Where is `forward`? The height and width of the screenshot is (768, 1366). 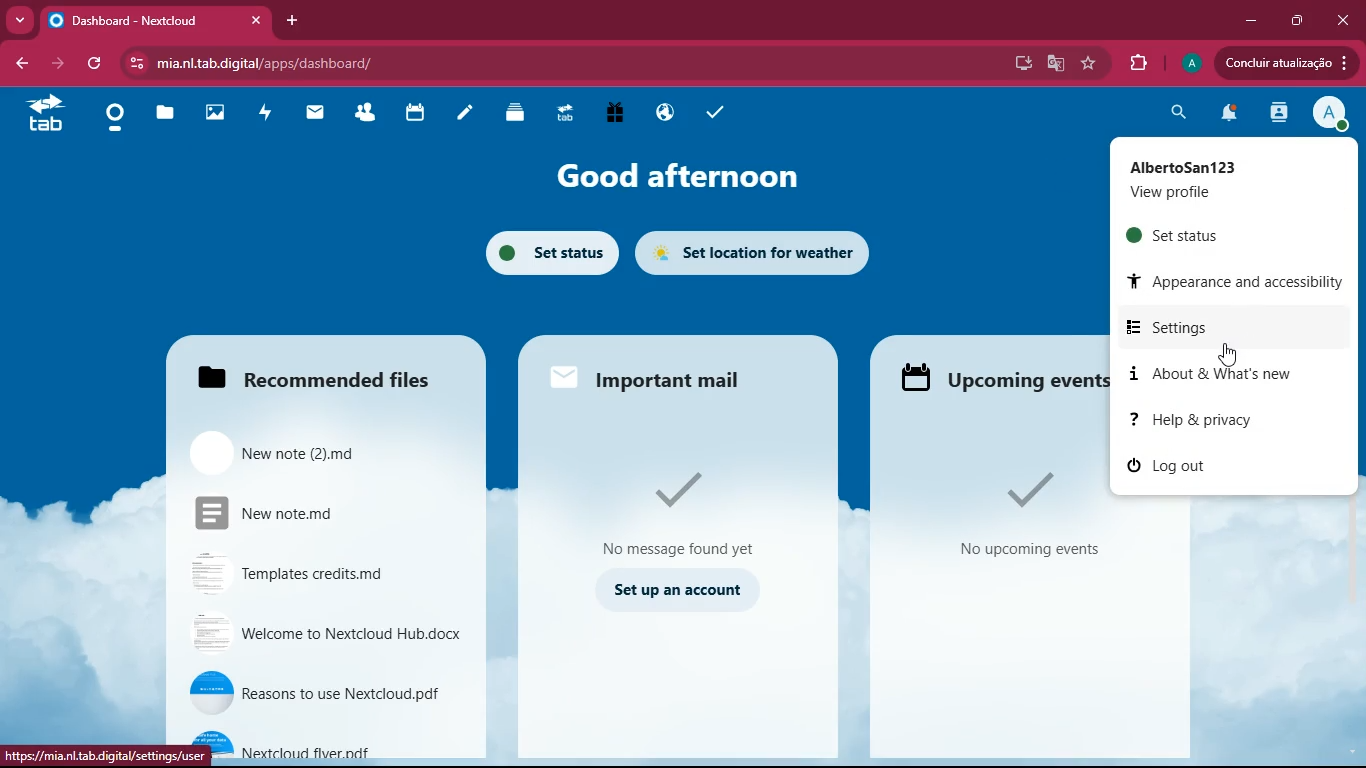 forward is located at coordinates (61, 65).